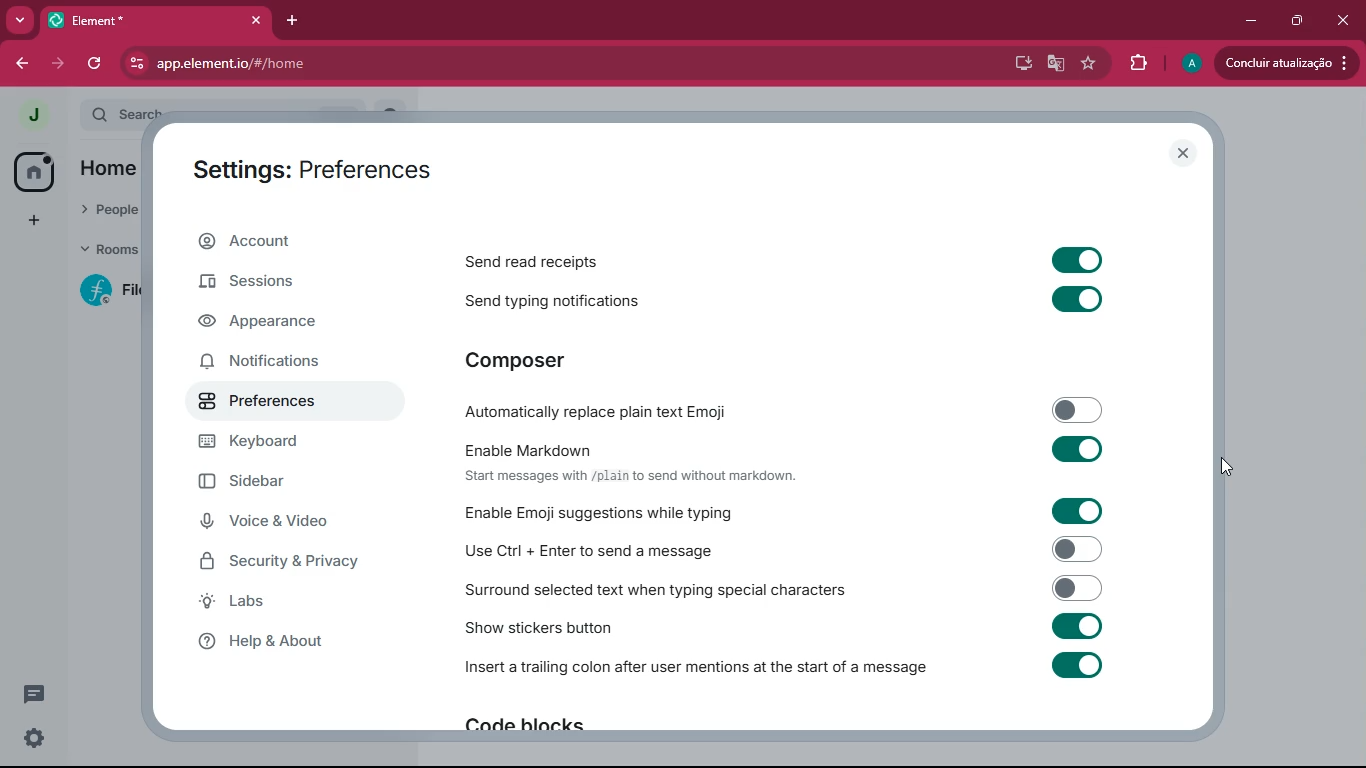 This screenshot has width=1366, height=768. I want to click on help, so click(282, 641).